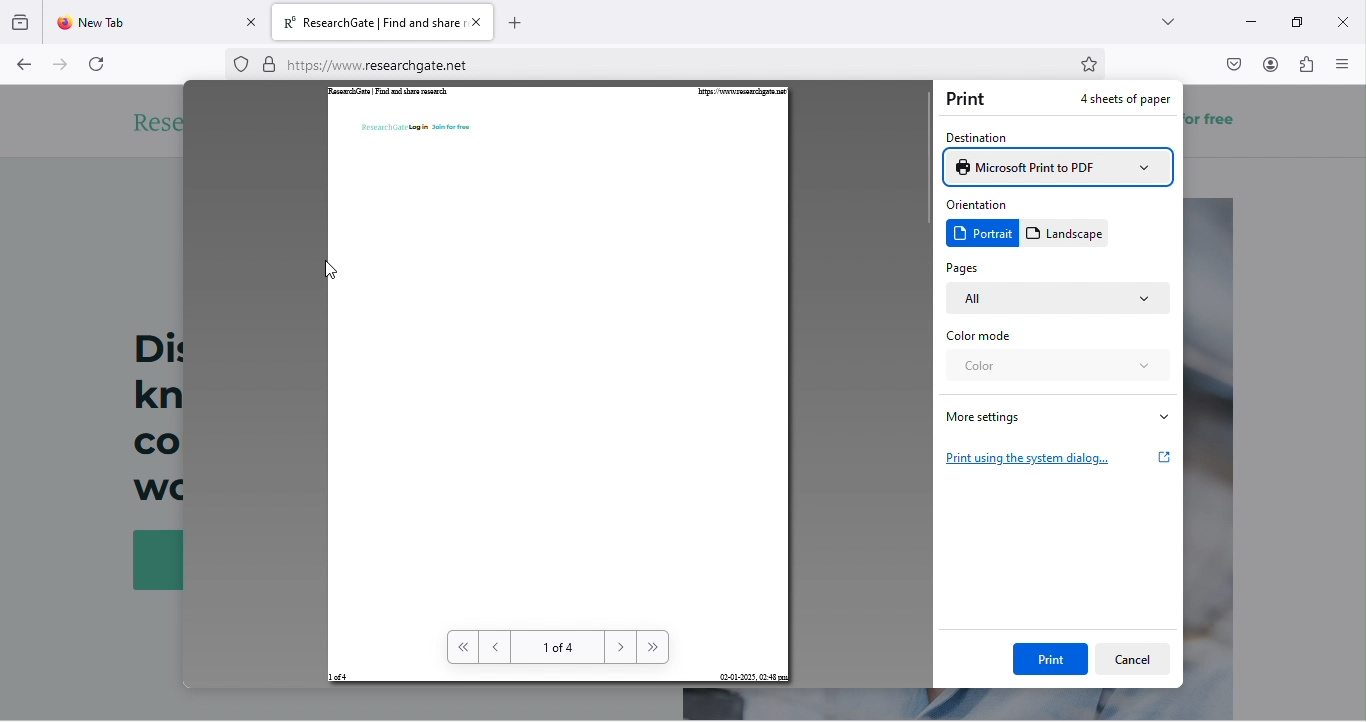  I want to click on cancel, so click(1133, 657).